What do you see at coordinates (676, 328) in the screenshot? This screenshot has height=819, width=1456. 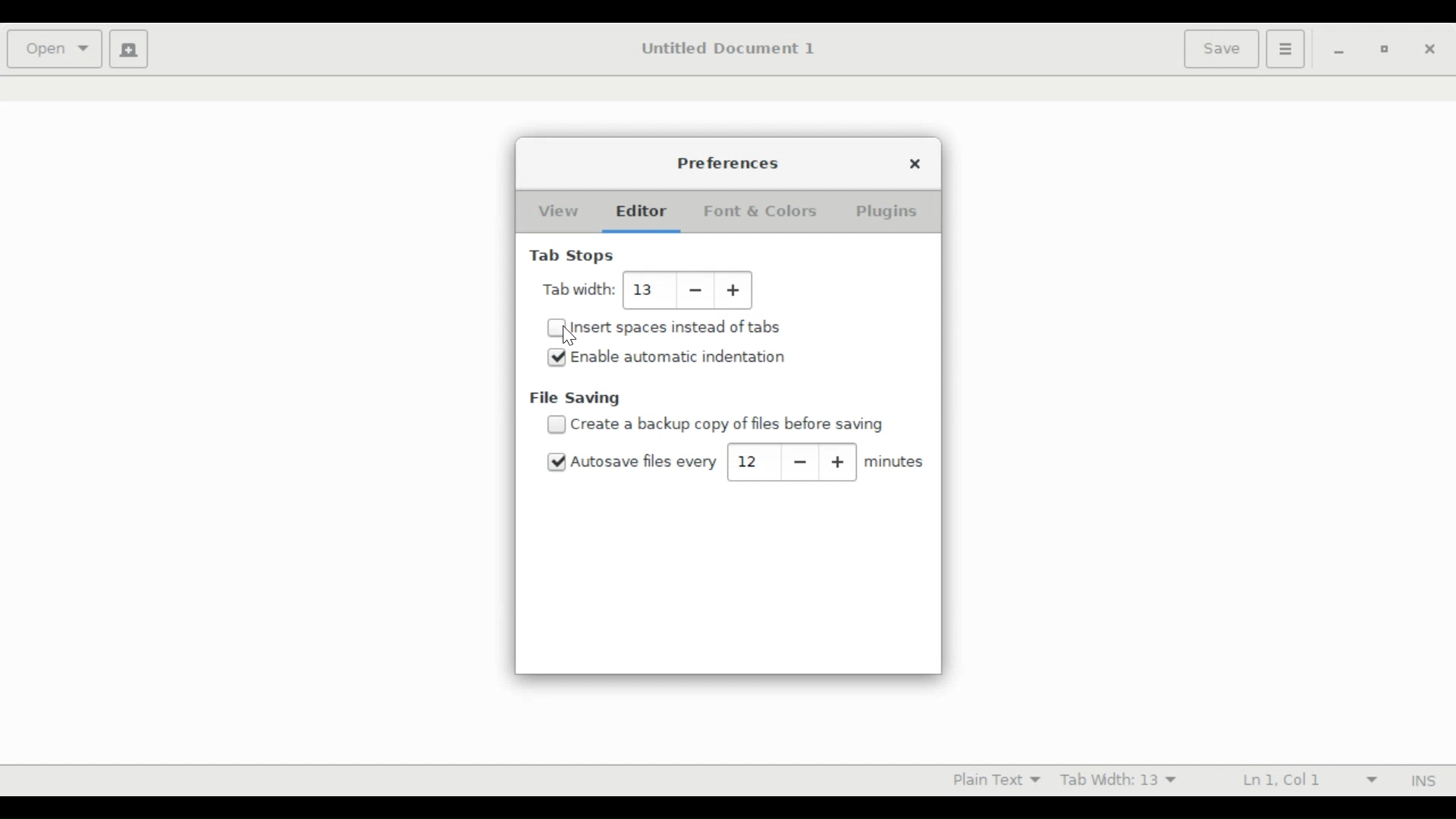 I see `(un)check Insert spaces instead of tabs` at bounding box center [676, 328].